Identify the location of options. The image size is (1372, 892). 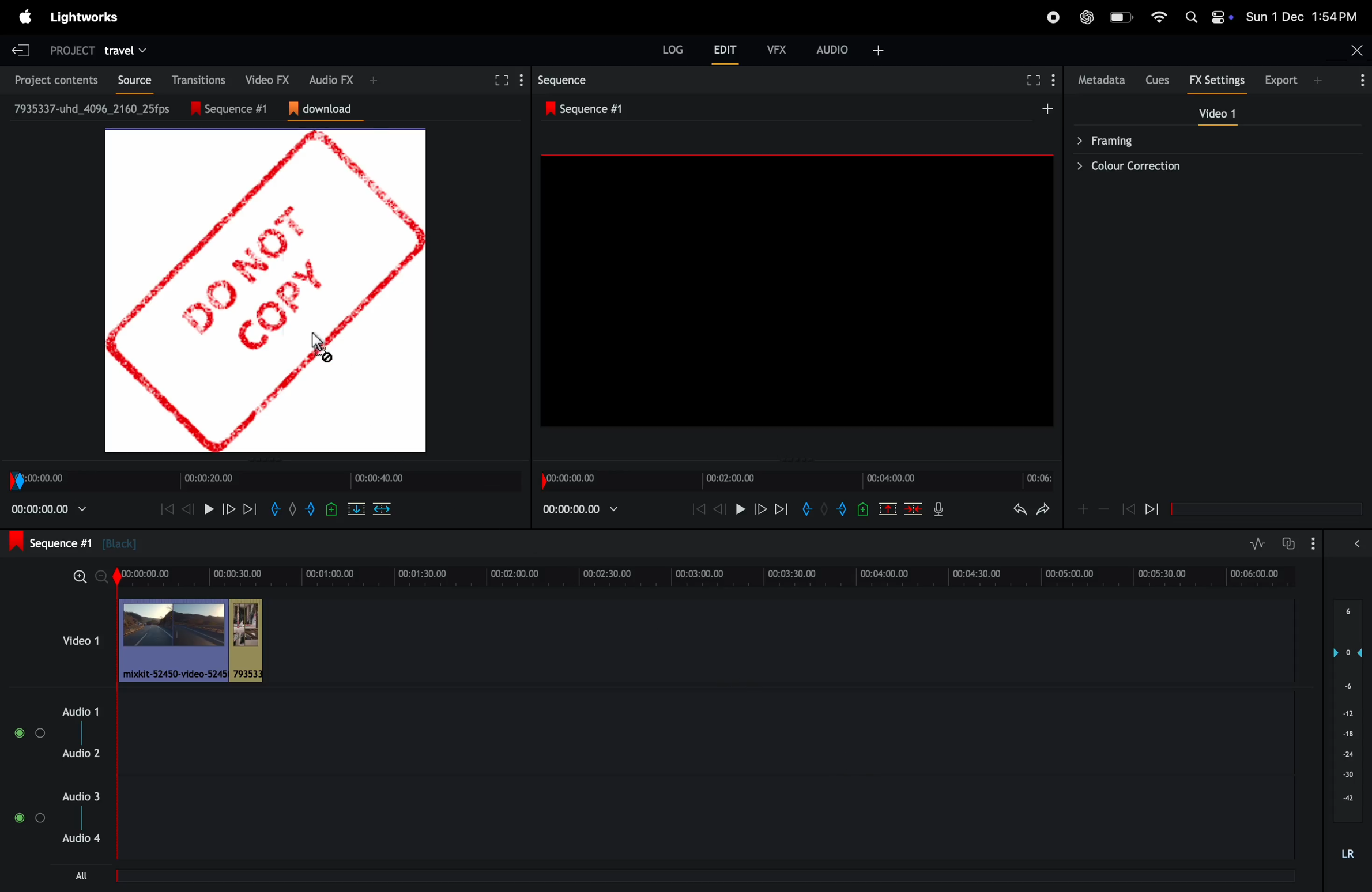
(1359, 80).